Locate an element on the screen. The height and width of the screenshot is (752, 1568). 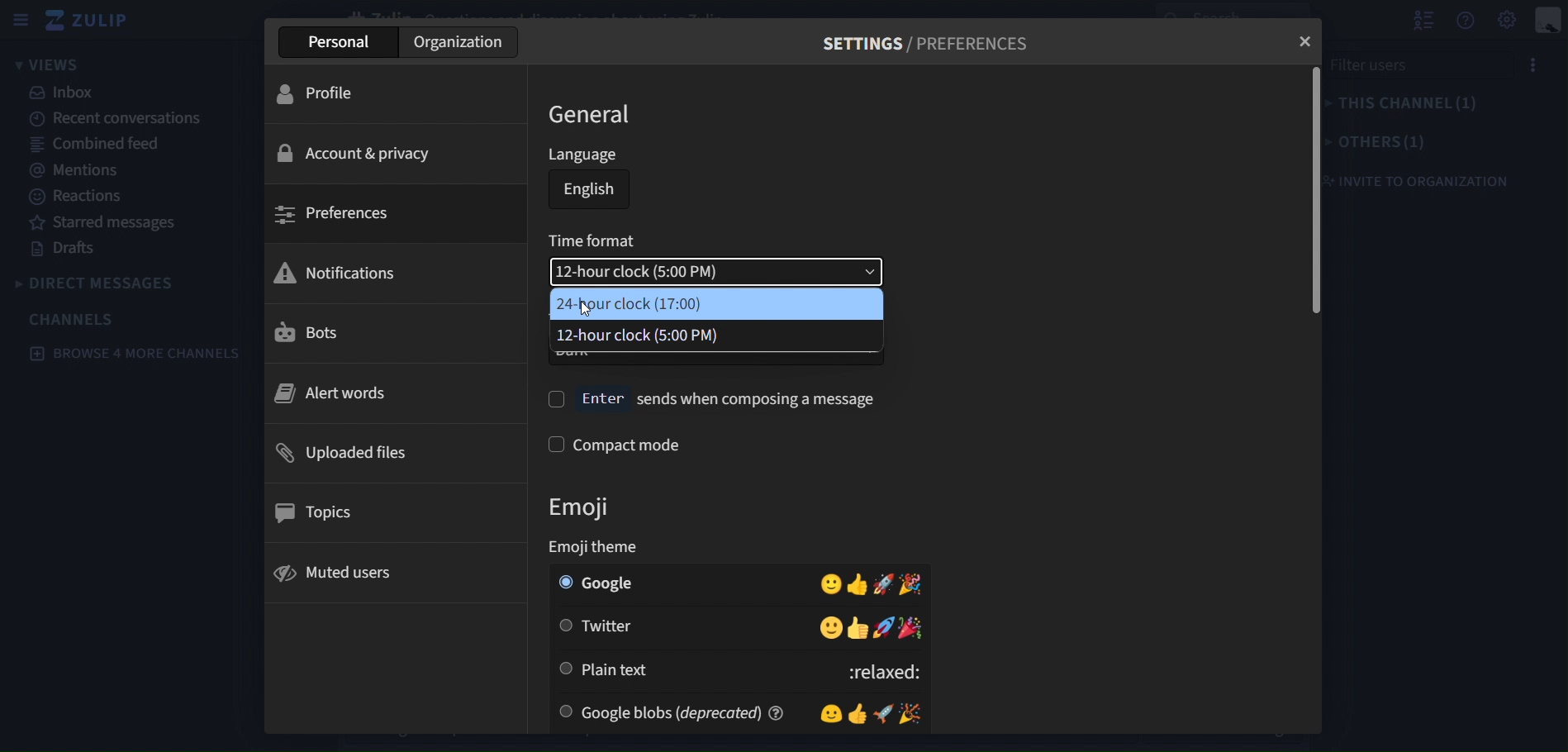
hide user list is located at coordinates (1421, 17).